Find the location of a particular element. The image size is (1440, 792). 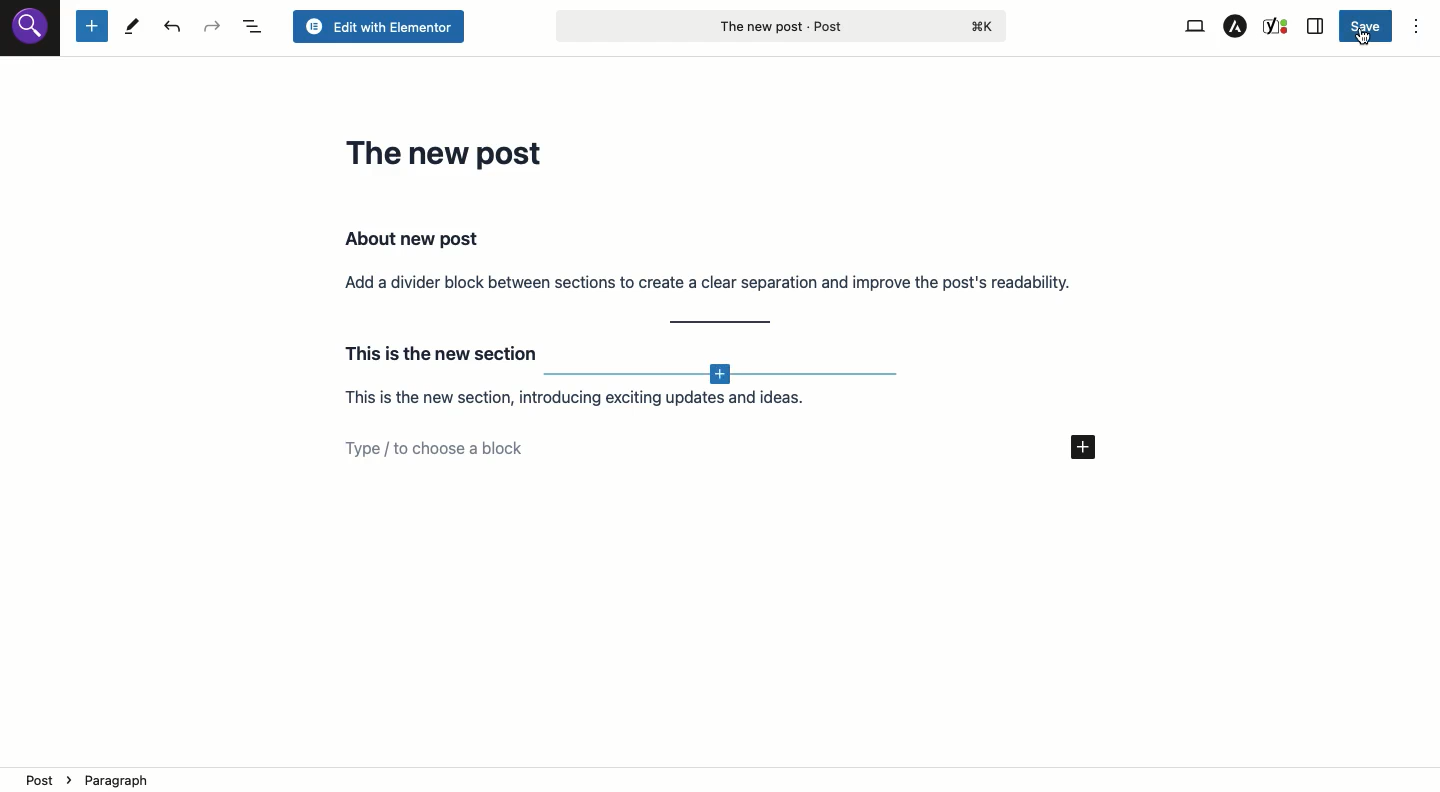

Document overview is located at coordinates (255, 27).